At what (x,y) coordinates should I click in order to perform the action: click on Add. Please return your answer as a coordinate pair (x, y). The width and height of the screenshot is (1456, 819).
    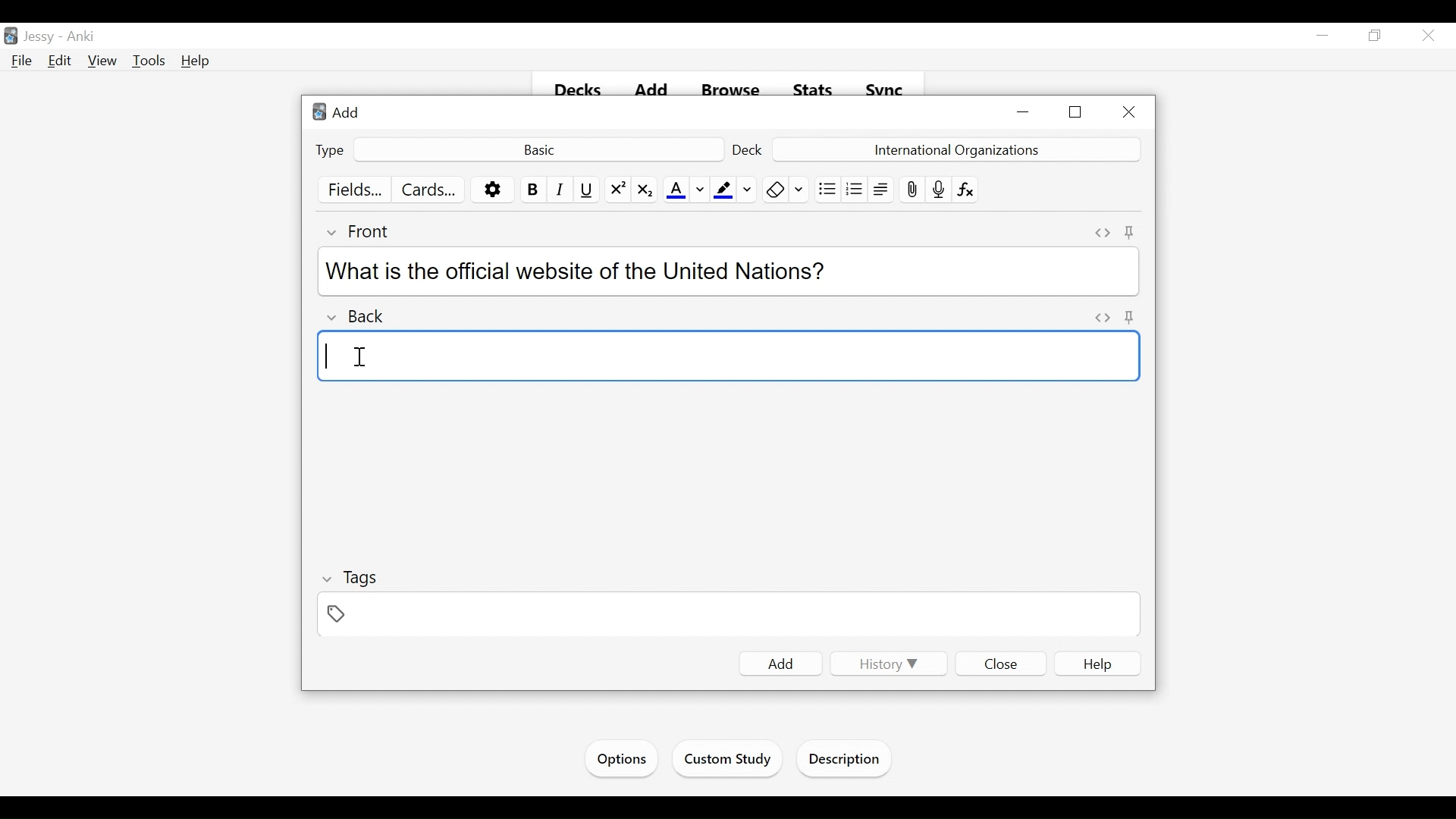
    Looking at the image, I should click on (347, 113).